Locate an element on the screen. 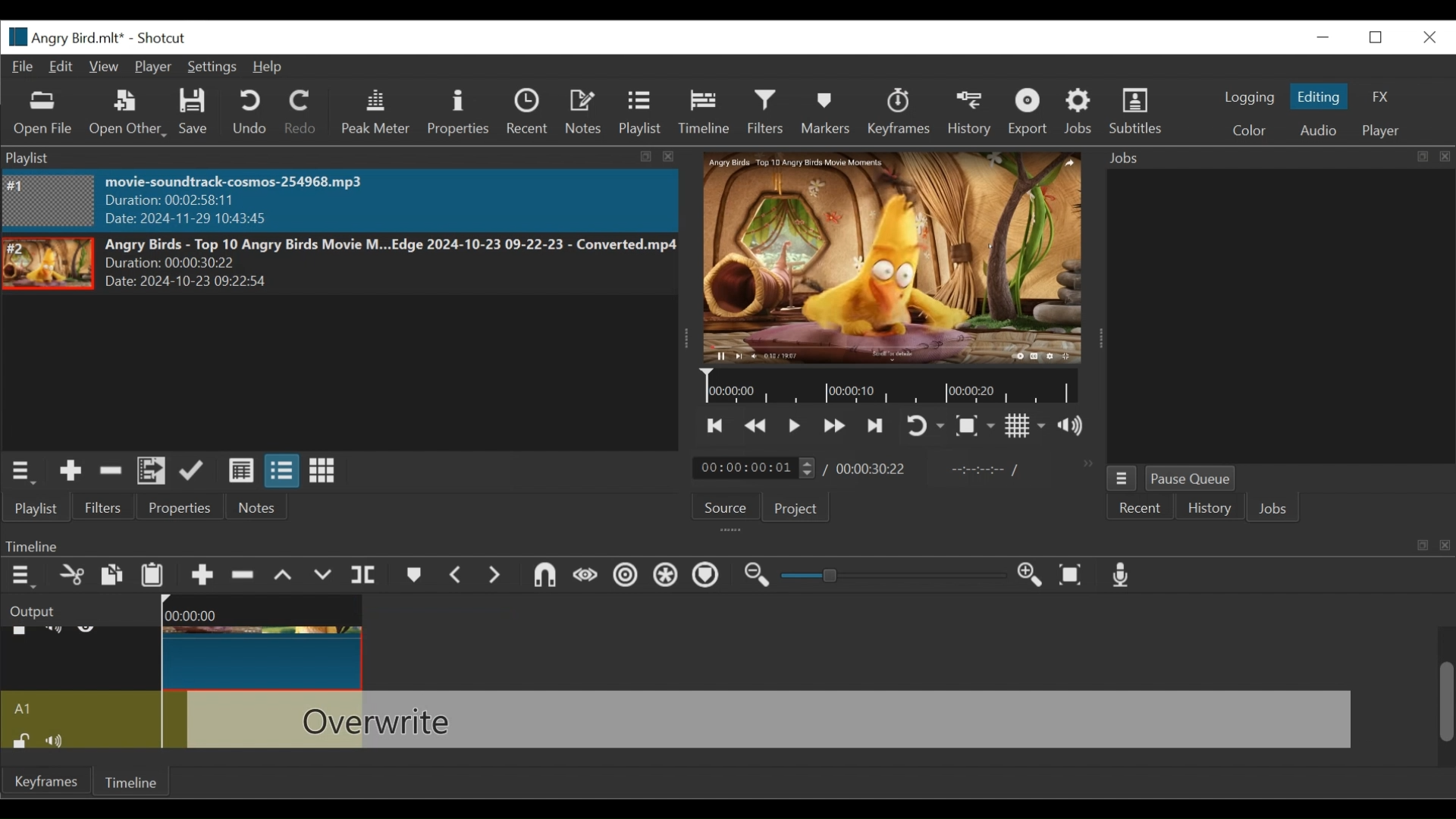 The width and height of the screenshot is (1456, 819). Skip to the next point is located at coordinates (717, 426).